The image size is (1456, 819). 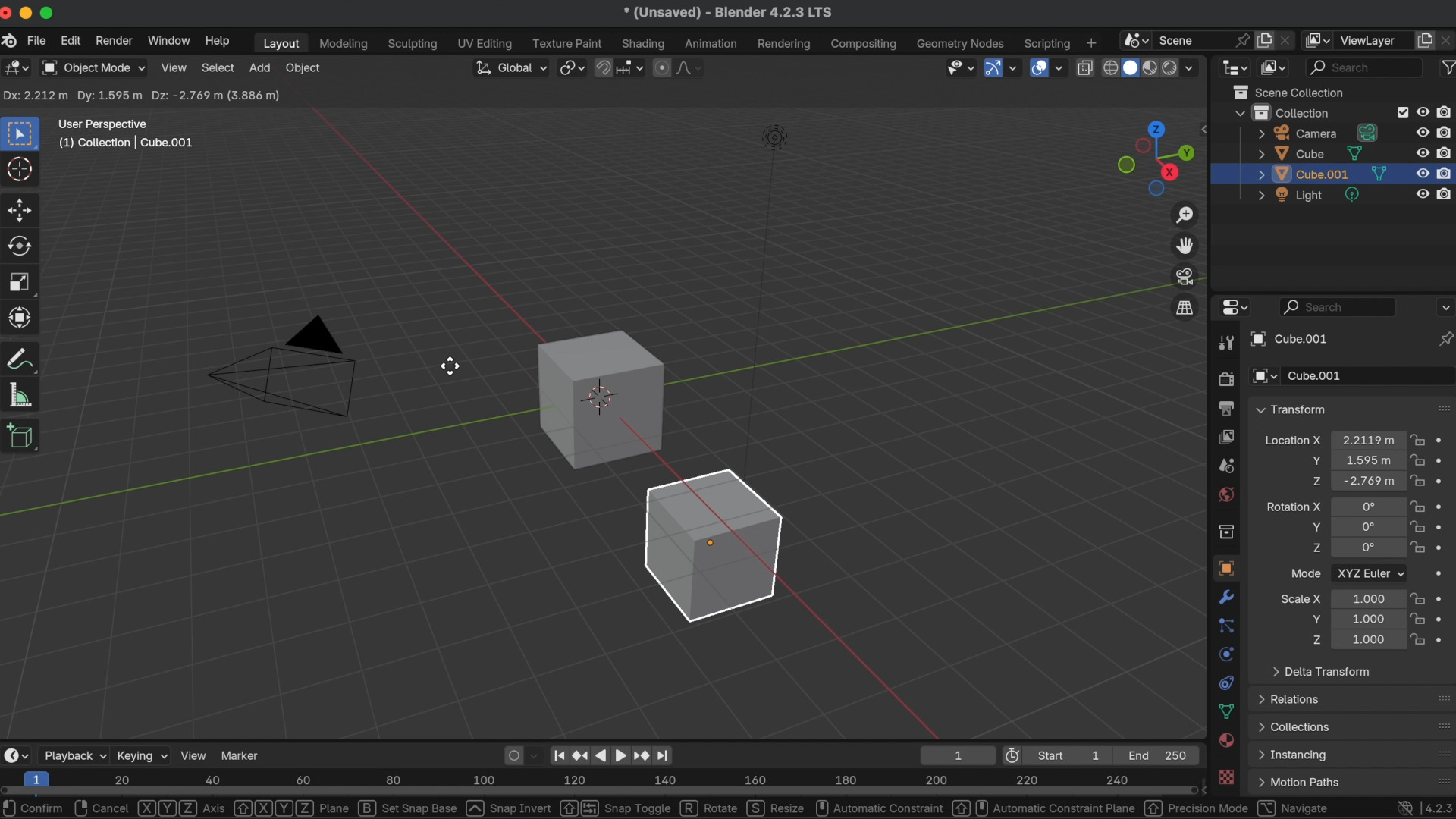 What do you see at coordinates (1446, 66) in the screenshot?
I see `filter icon` at bounding box center [1446, 66].